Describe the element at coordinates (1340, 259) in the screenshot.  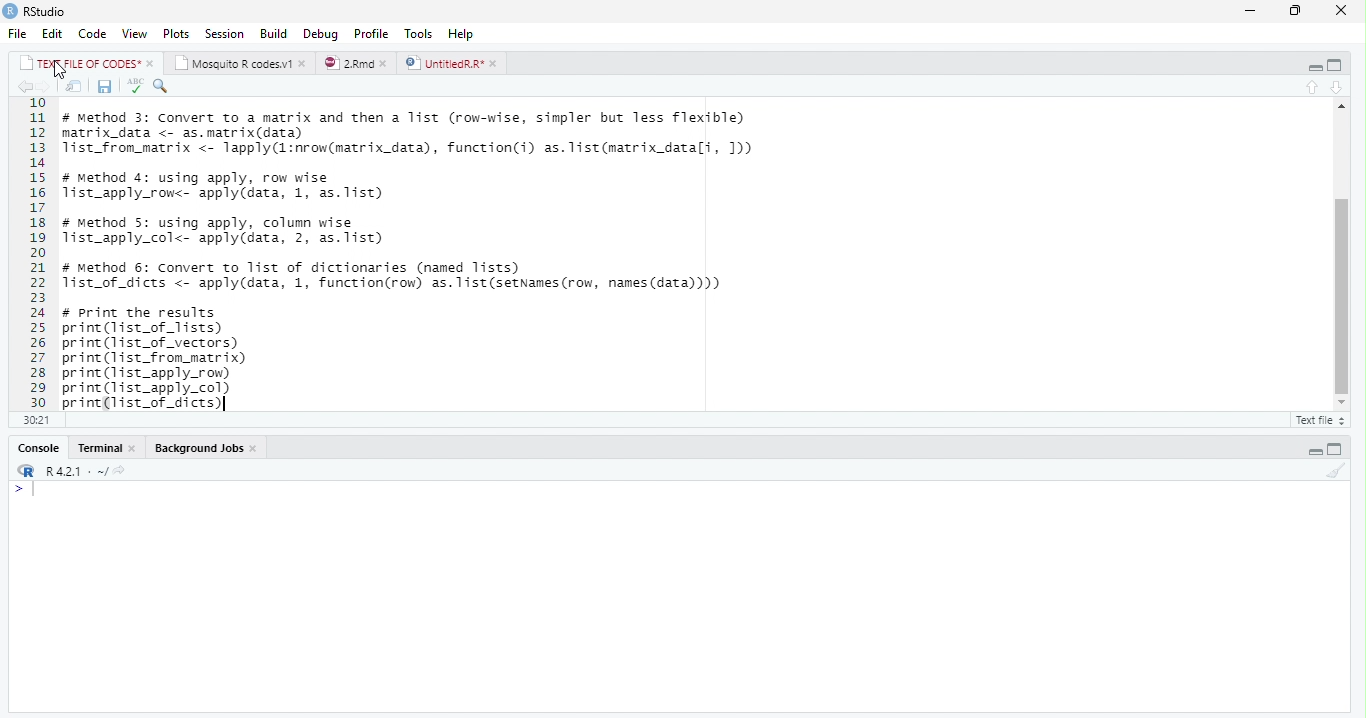
I see `Scroll` at that location.